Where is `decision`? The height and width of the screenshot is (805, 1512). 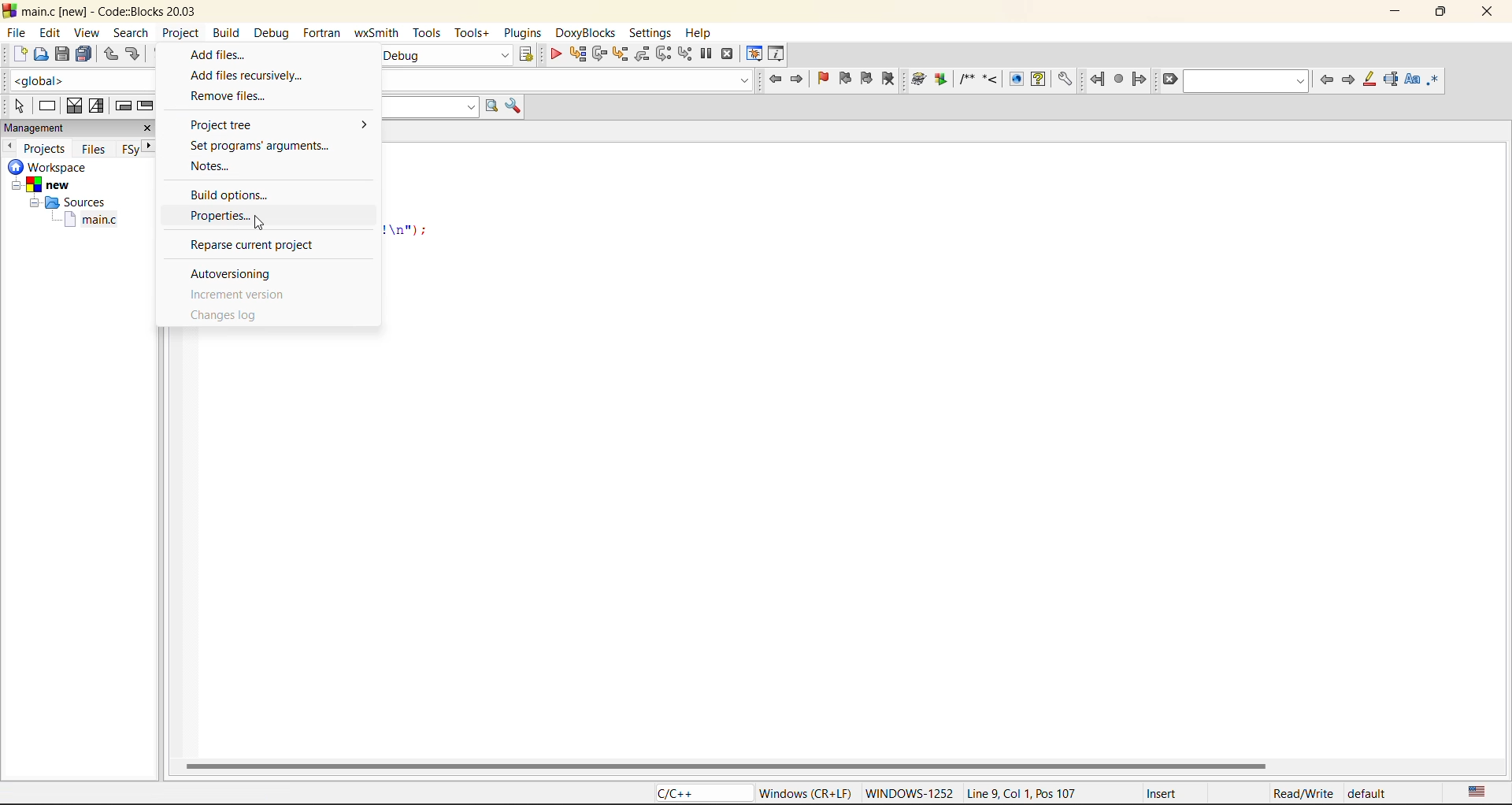 decision is located at coordinates (74, 106).